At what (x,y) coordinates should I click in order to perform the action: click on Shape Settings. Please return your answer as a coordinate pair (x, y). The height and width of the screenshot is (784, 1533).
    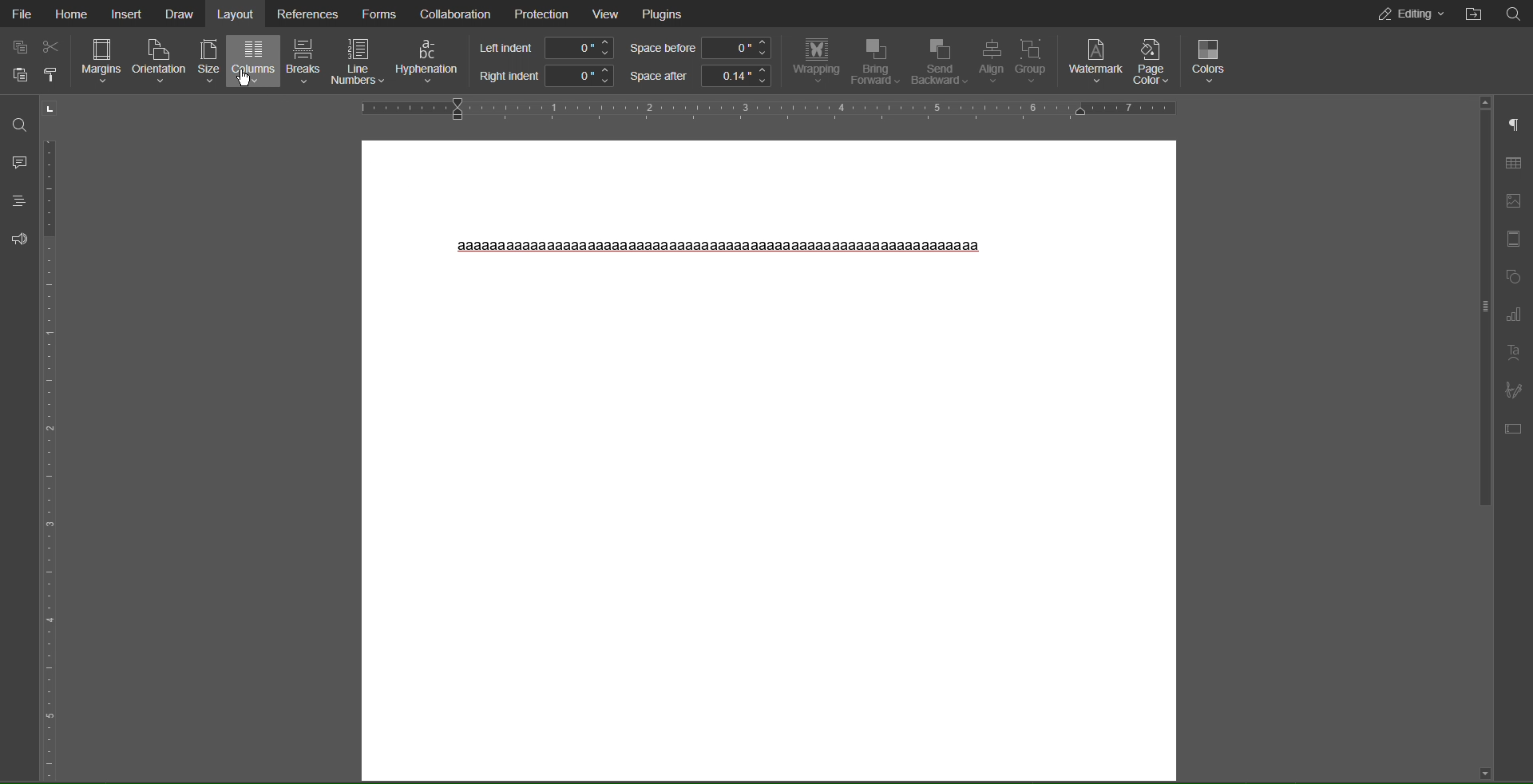
    Looking at the image, I should click on (1514, 278).